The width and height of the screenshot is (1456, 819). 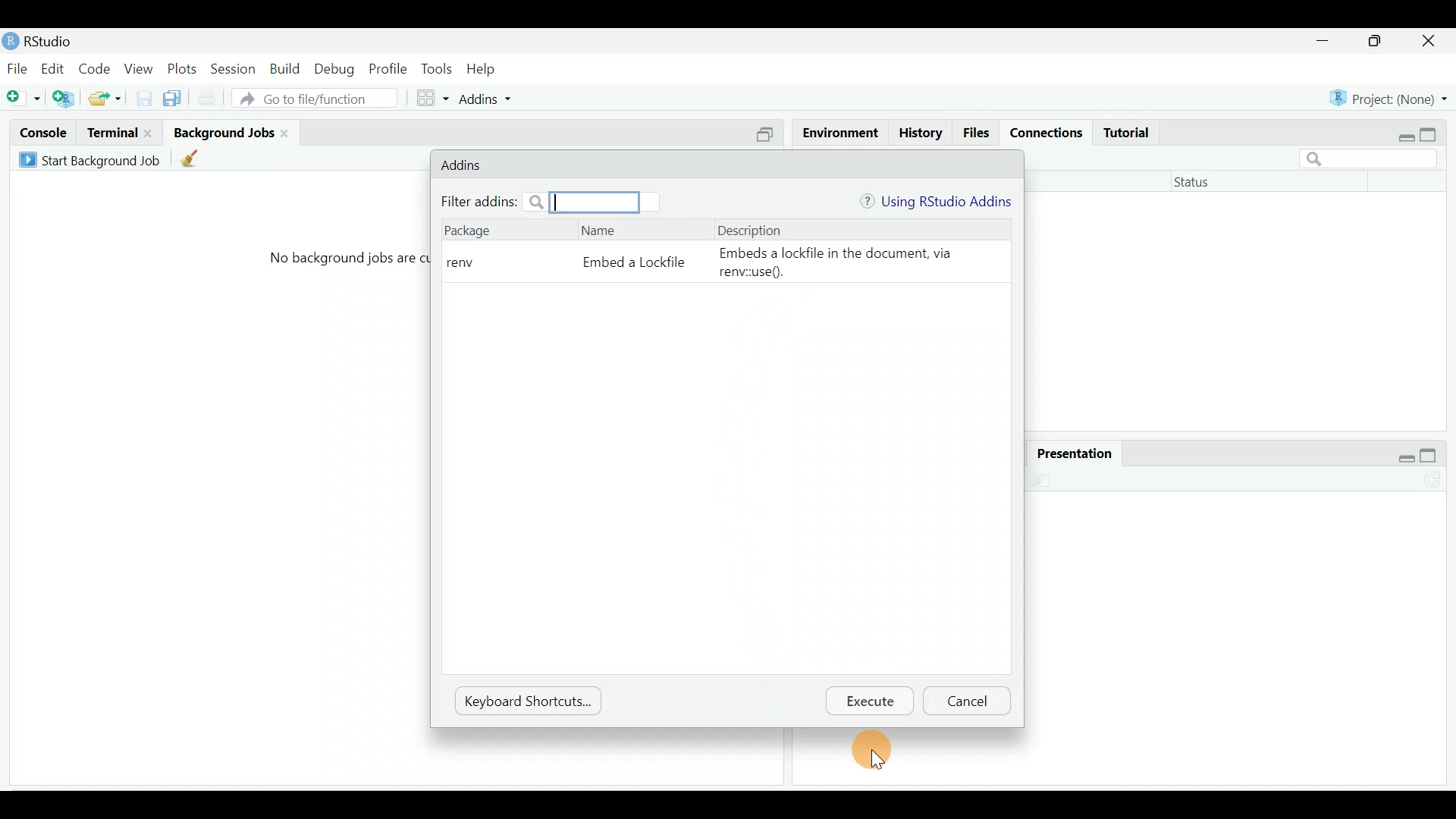 I want to click on Help, so click(x=483, y=69).